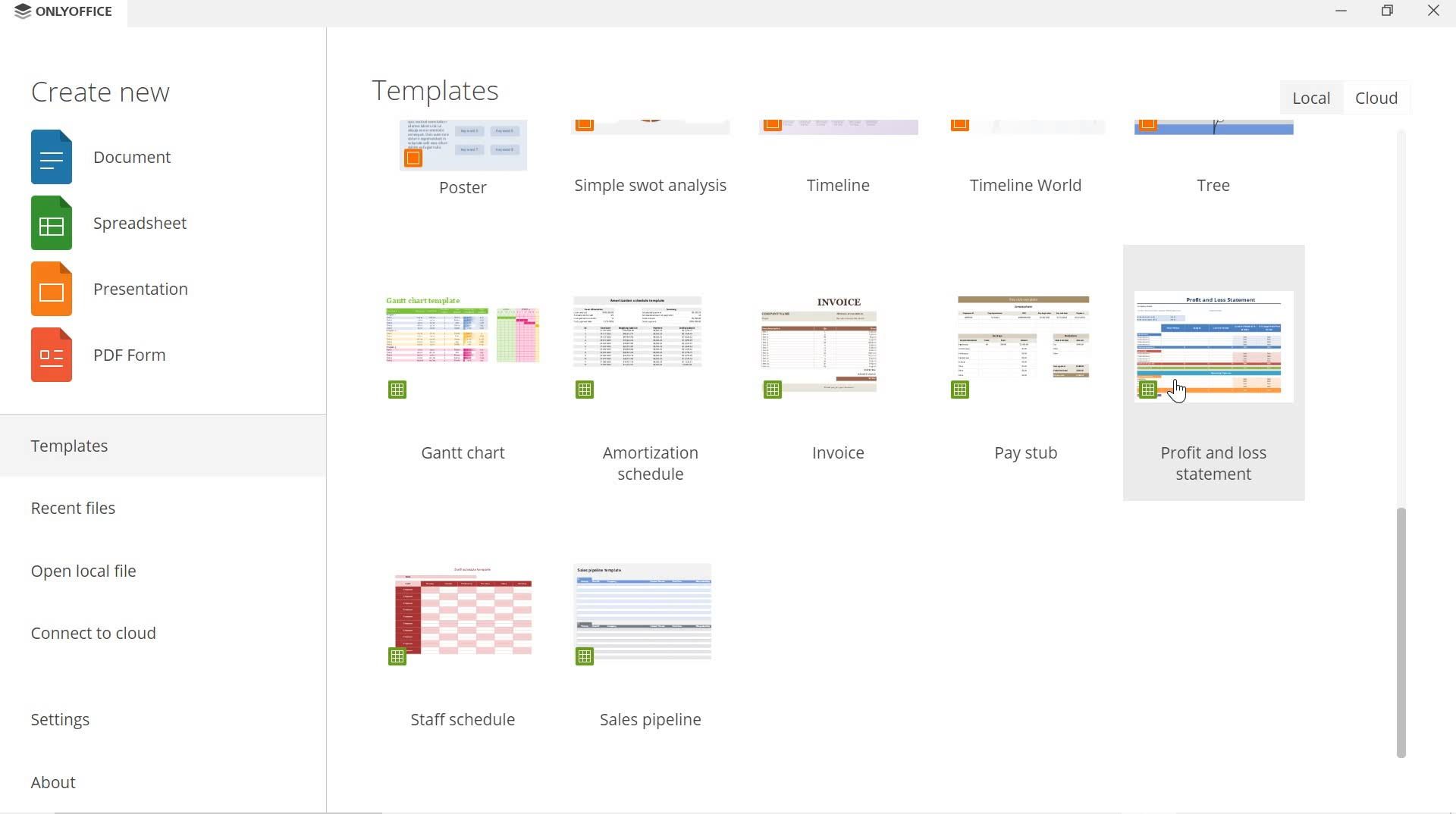  What do you see at coordinates (653, 720) in the screenshot?
I see `Sales pipeline` at bounding box center [653, 720].